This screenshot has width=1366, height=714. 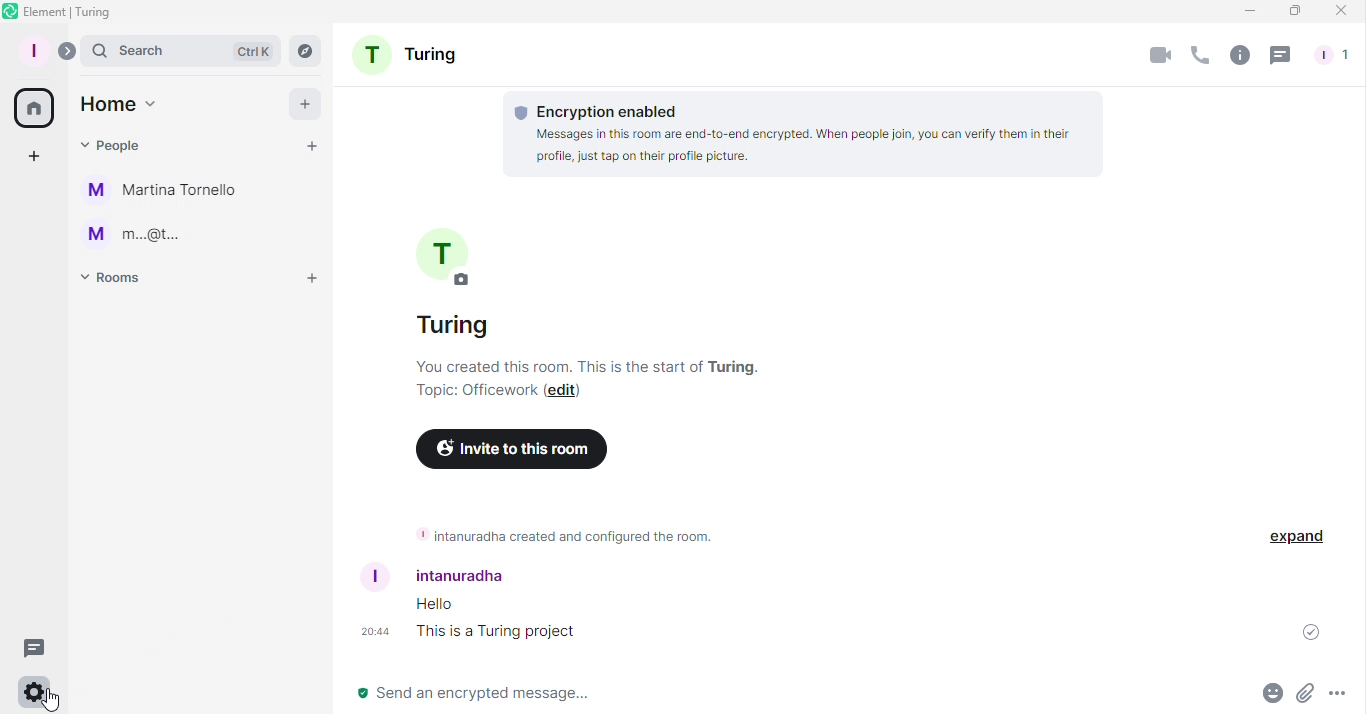 What do you see at coordinates (299, 101) in the screenshot?
I see `Add` at bounding box center [299, 101].